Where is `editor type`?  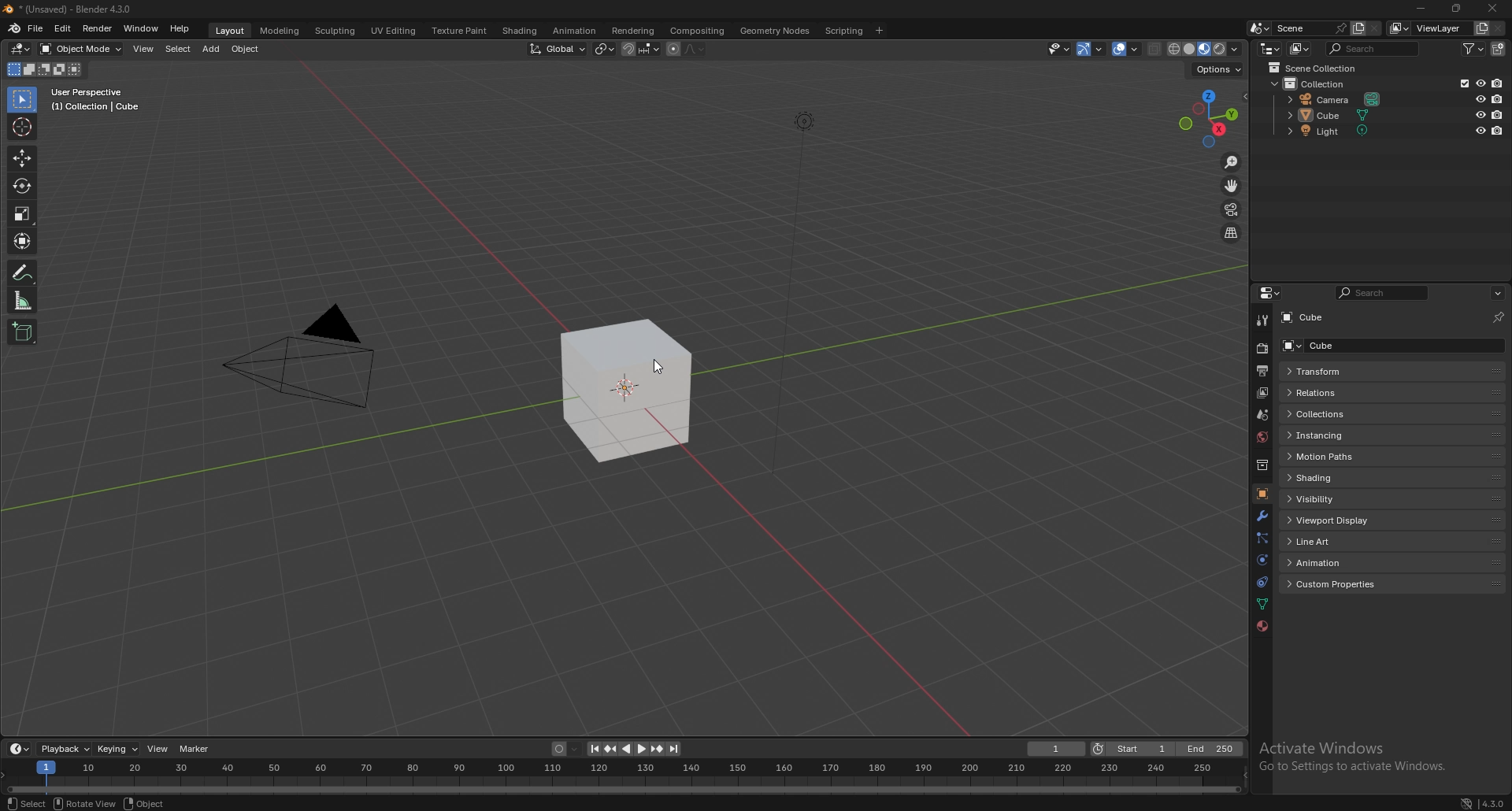
editor type is located at coordinates (20, 750).